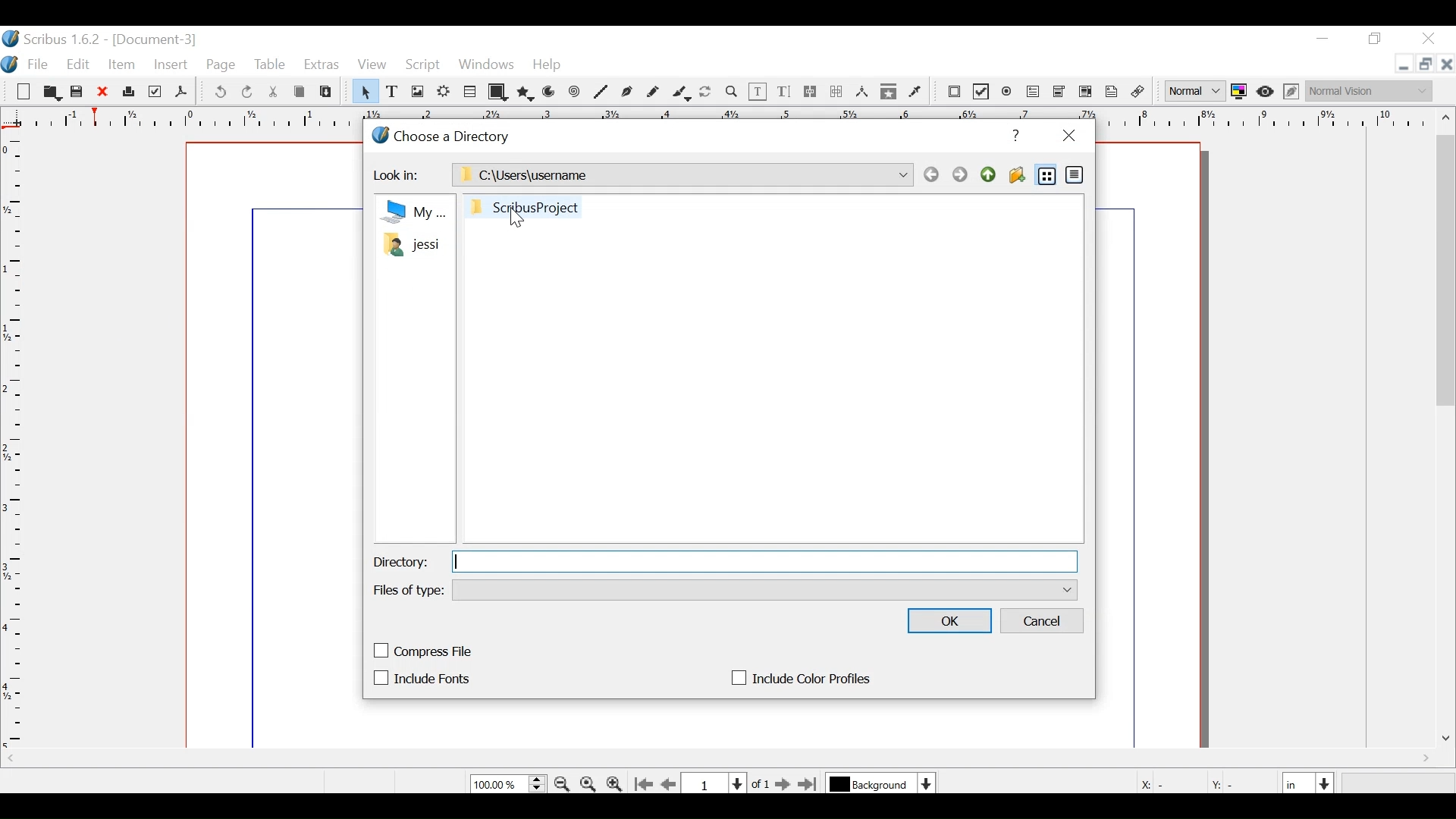  What do you see at coordinates (485, 67) in the screenshot?
I see `Windows` at bounding box center [485, 67].